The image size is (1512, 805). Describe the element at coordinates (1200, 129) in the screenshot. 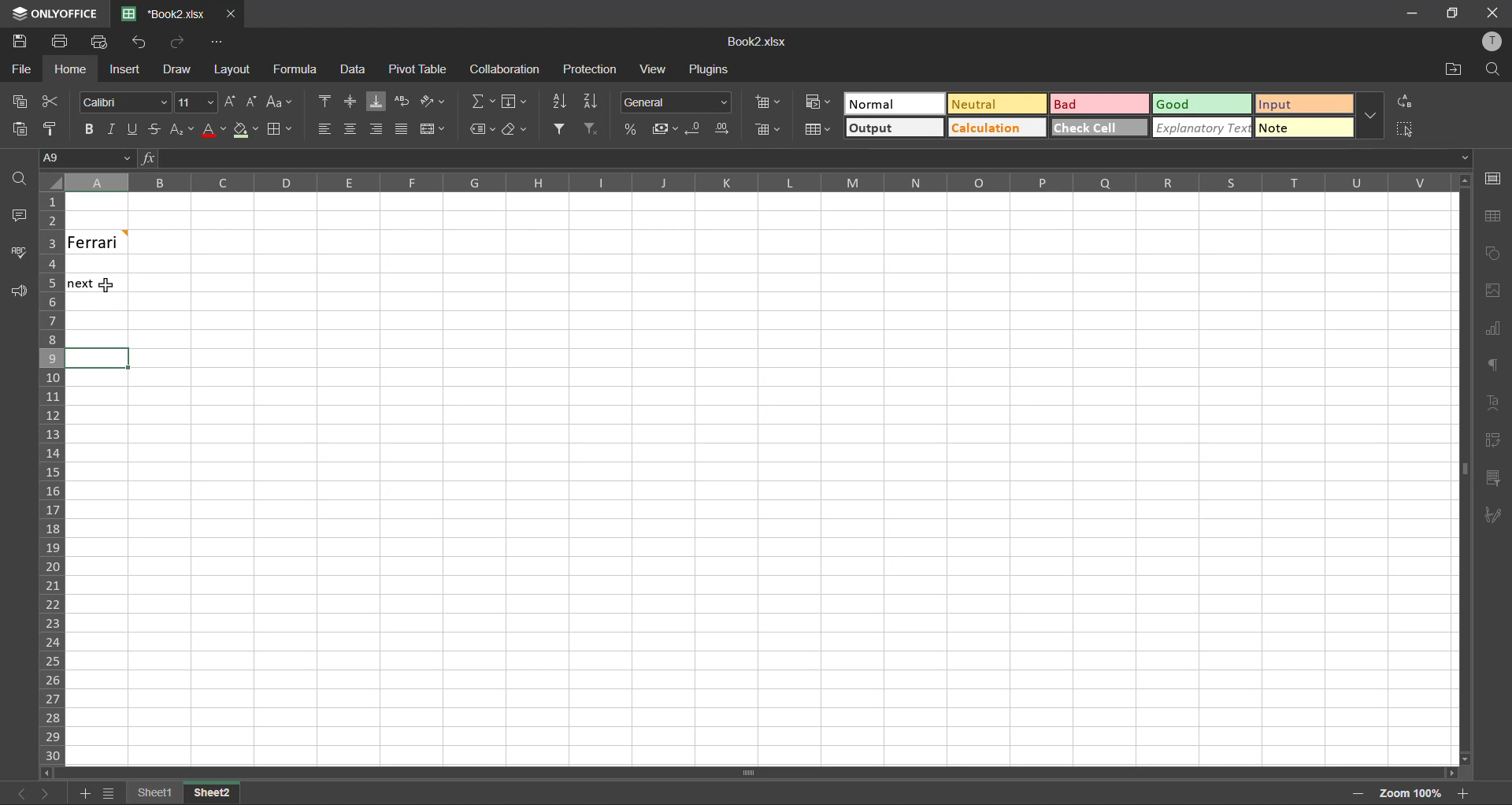

I see `explanatory text` at that location.